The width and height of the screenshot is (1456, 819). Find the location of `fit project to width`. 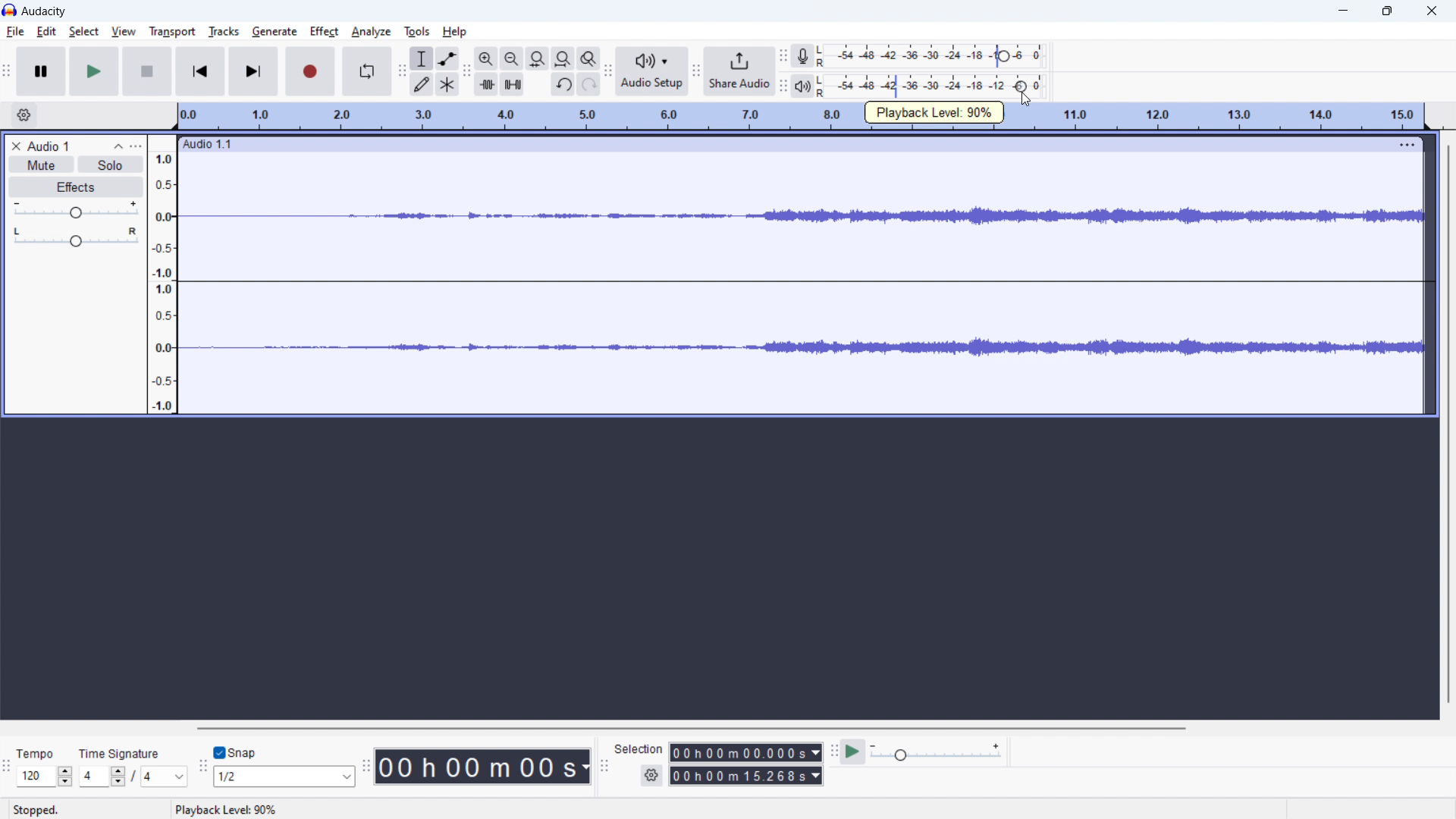

fit project to width is located at coordinates (562, 58).